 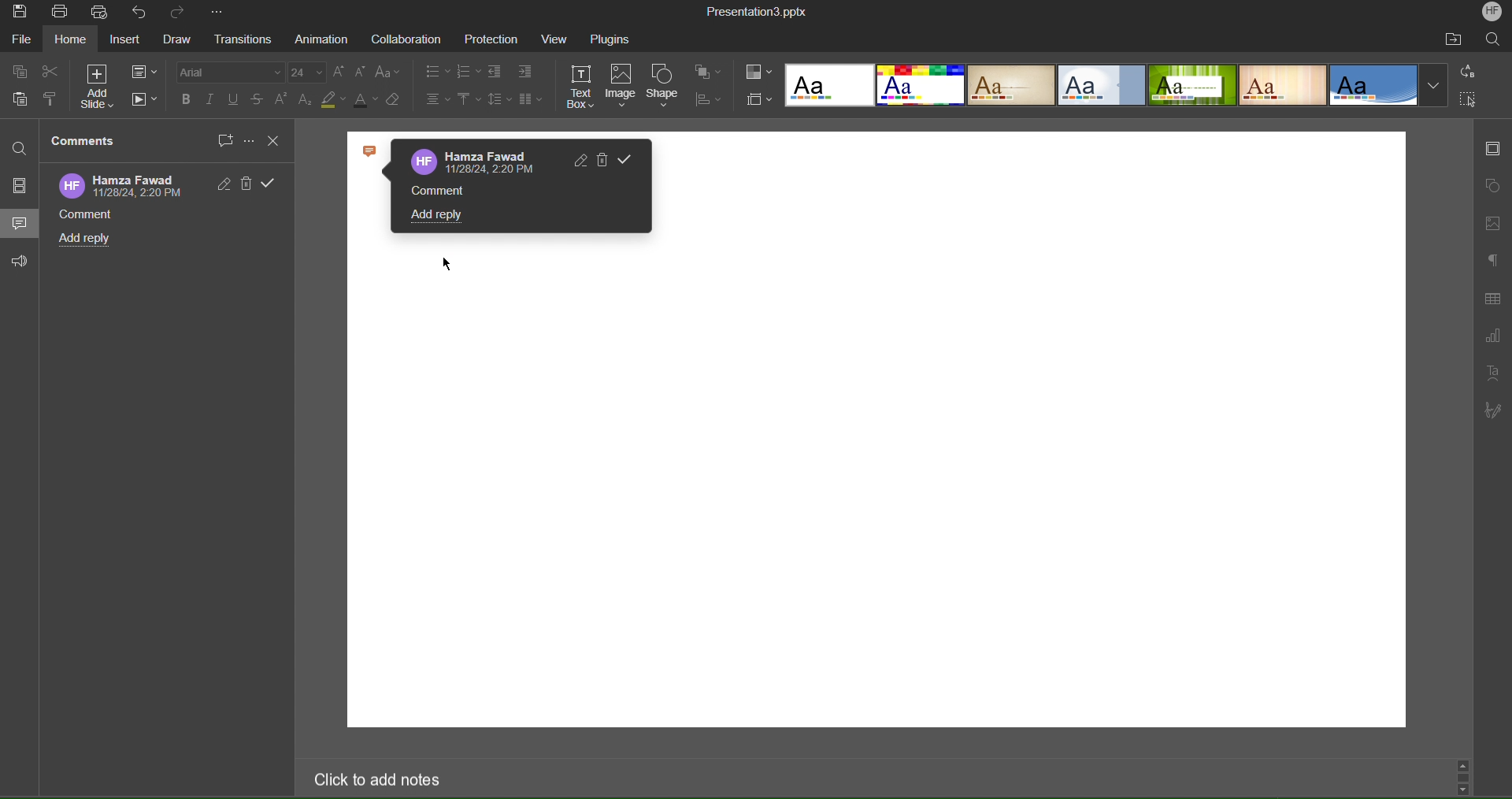 I want to click on Comment, so click(x=98, y=215).